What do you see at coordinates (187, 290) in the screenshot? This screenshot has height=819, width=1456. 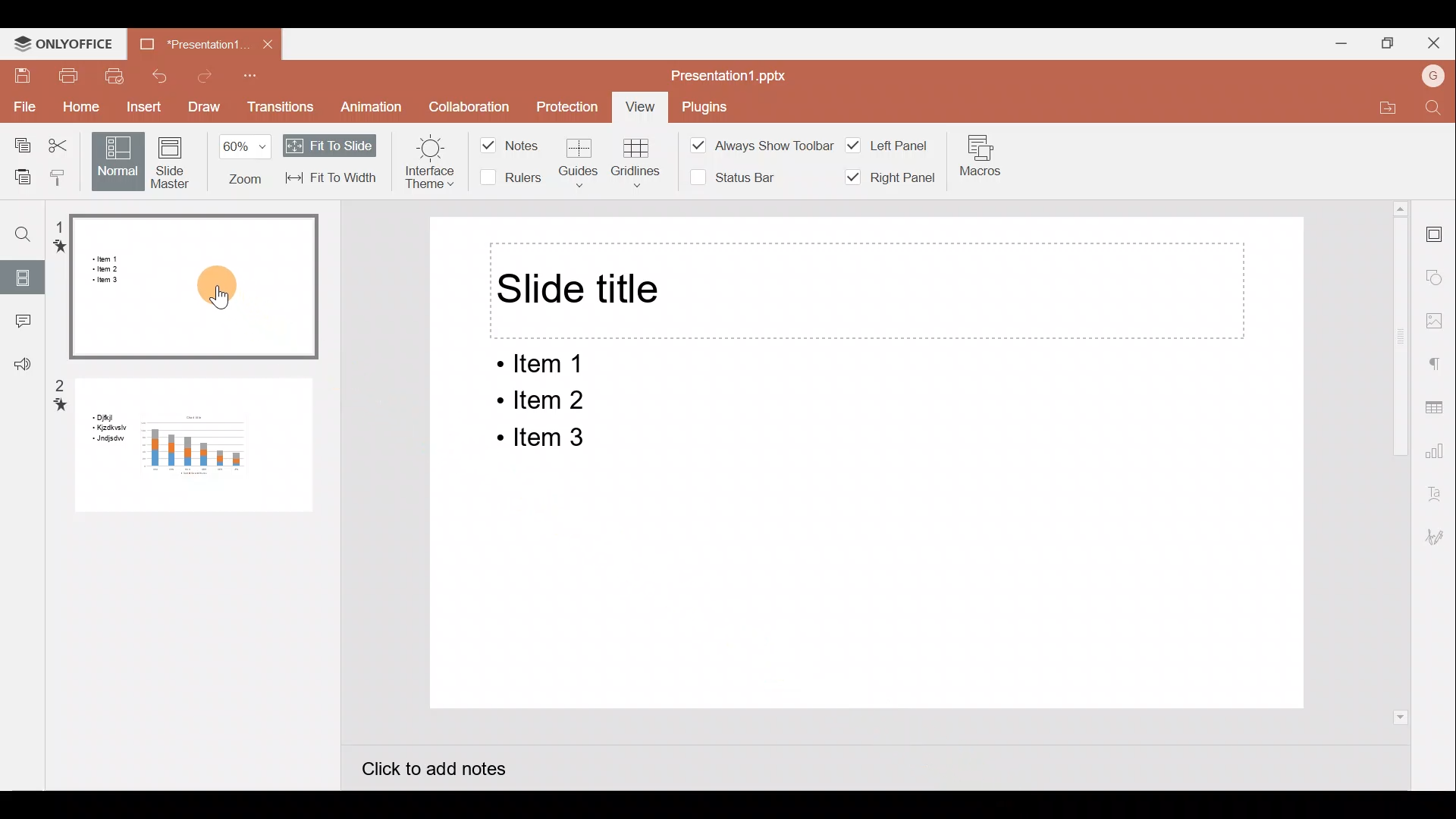 I see `Slide 1 preview` at bounding box center [187, 290].